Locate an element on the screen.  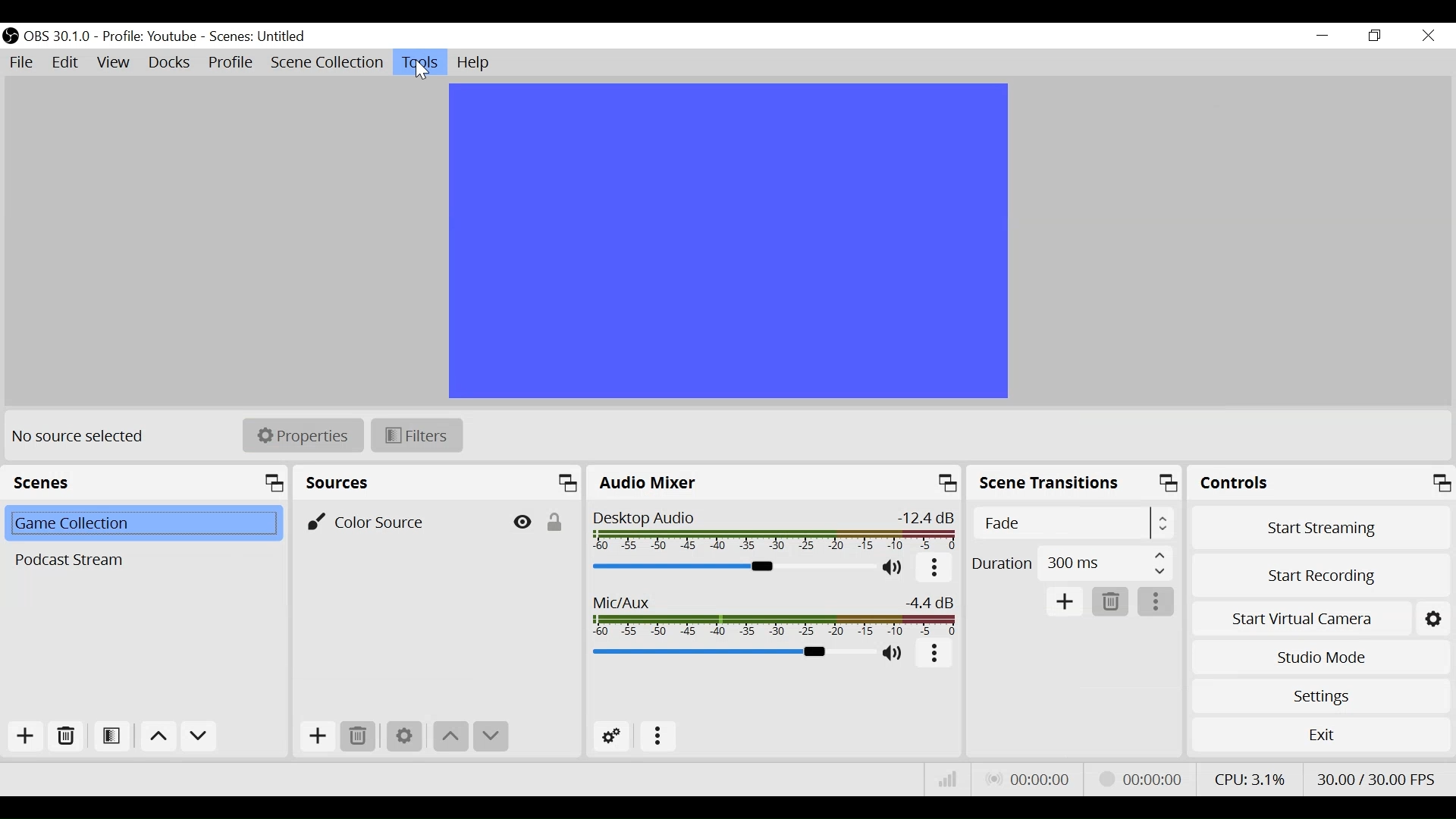
Add is located at coordinates (25, 736).